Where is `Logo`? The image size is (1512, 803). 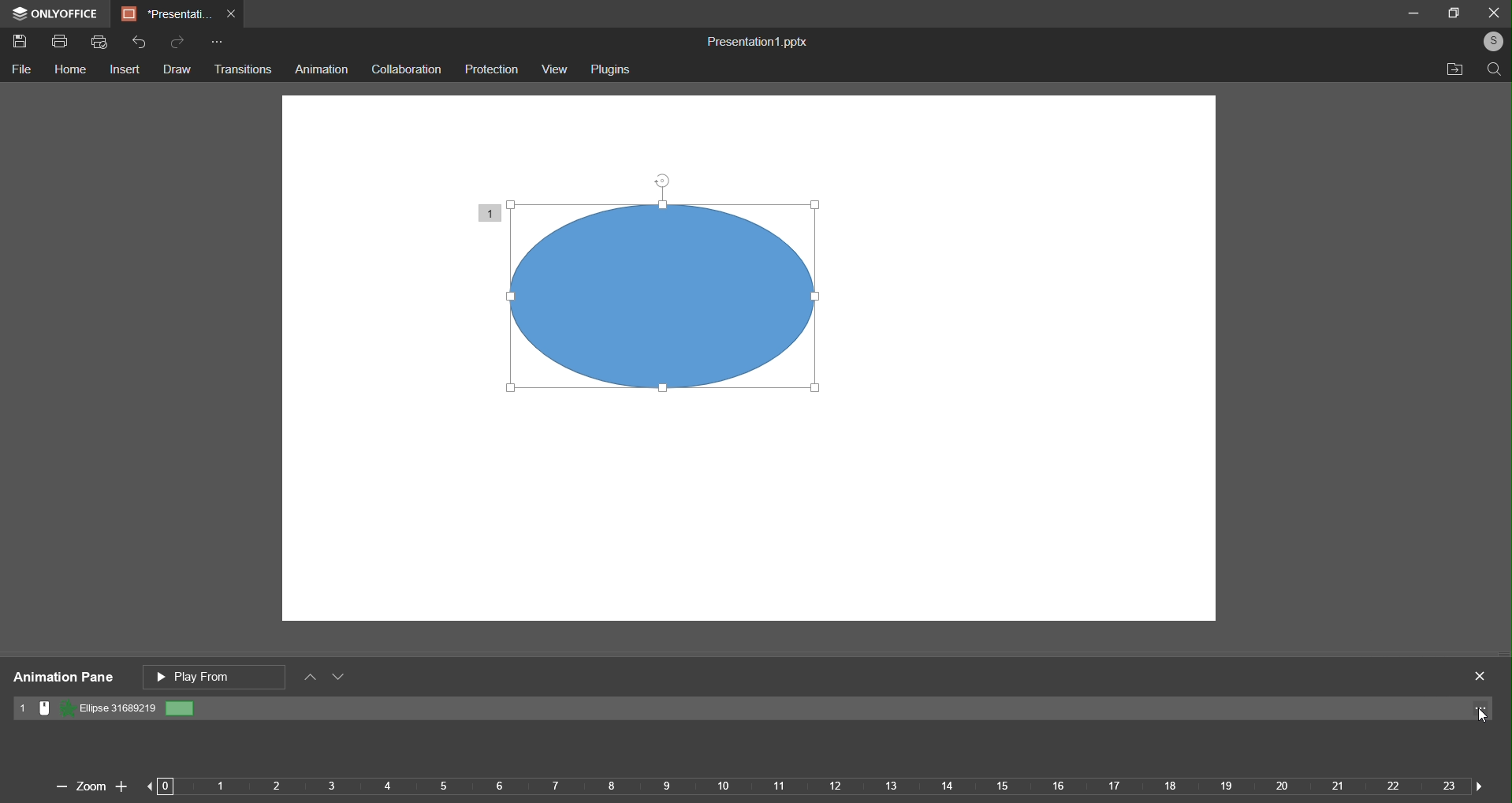 Logo is located at coordinates (55, 13).